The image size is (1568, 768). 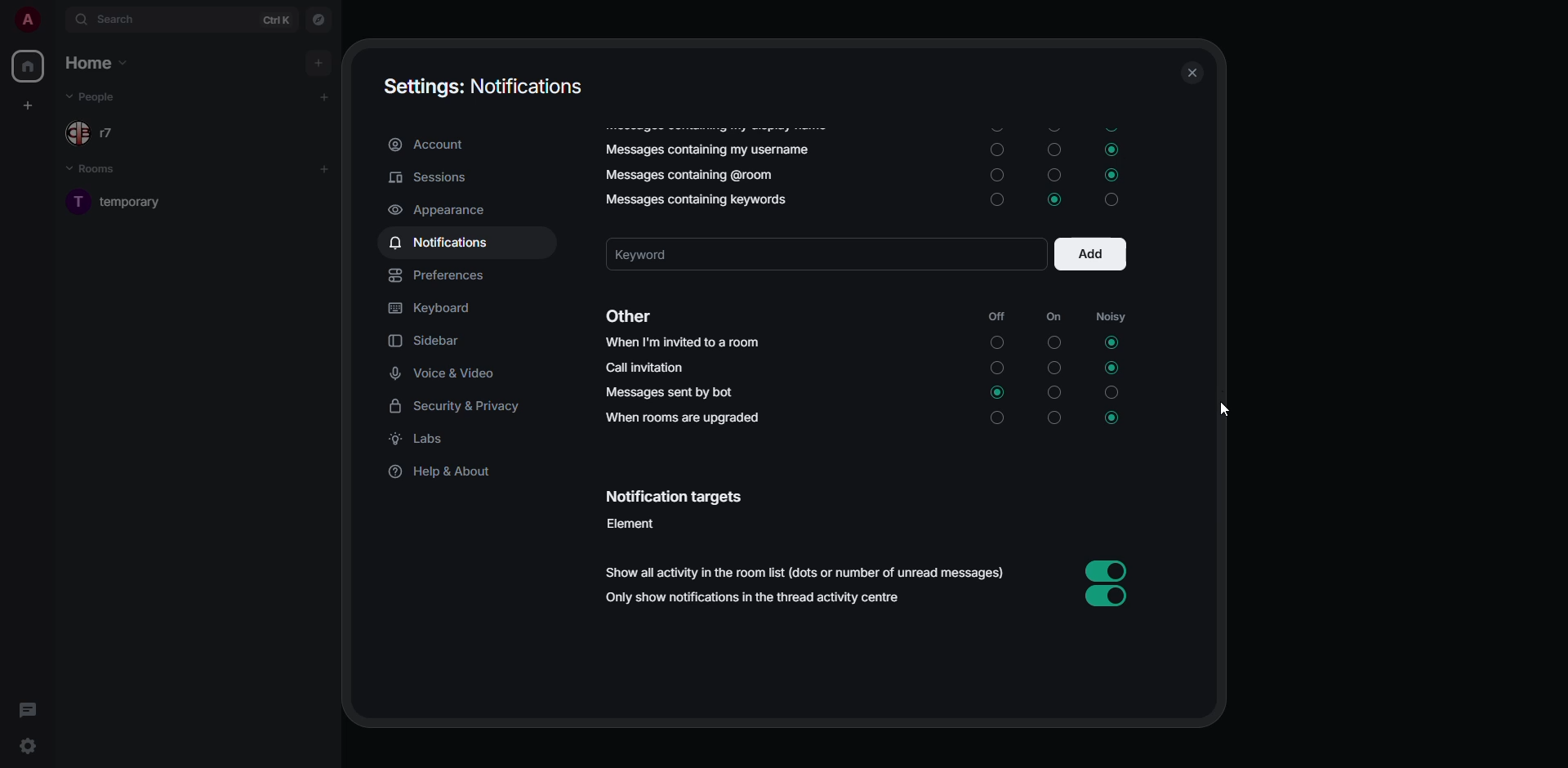 What do you see at coordinates (318, 21) in the screenshot?
I see `navigator` at bounding box center [318, 21].